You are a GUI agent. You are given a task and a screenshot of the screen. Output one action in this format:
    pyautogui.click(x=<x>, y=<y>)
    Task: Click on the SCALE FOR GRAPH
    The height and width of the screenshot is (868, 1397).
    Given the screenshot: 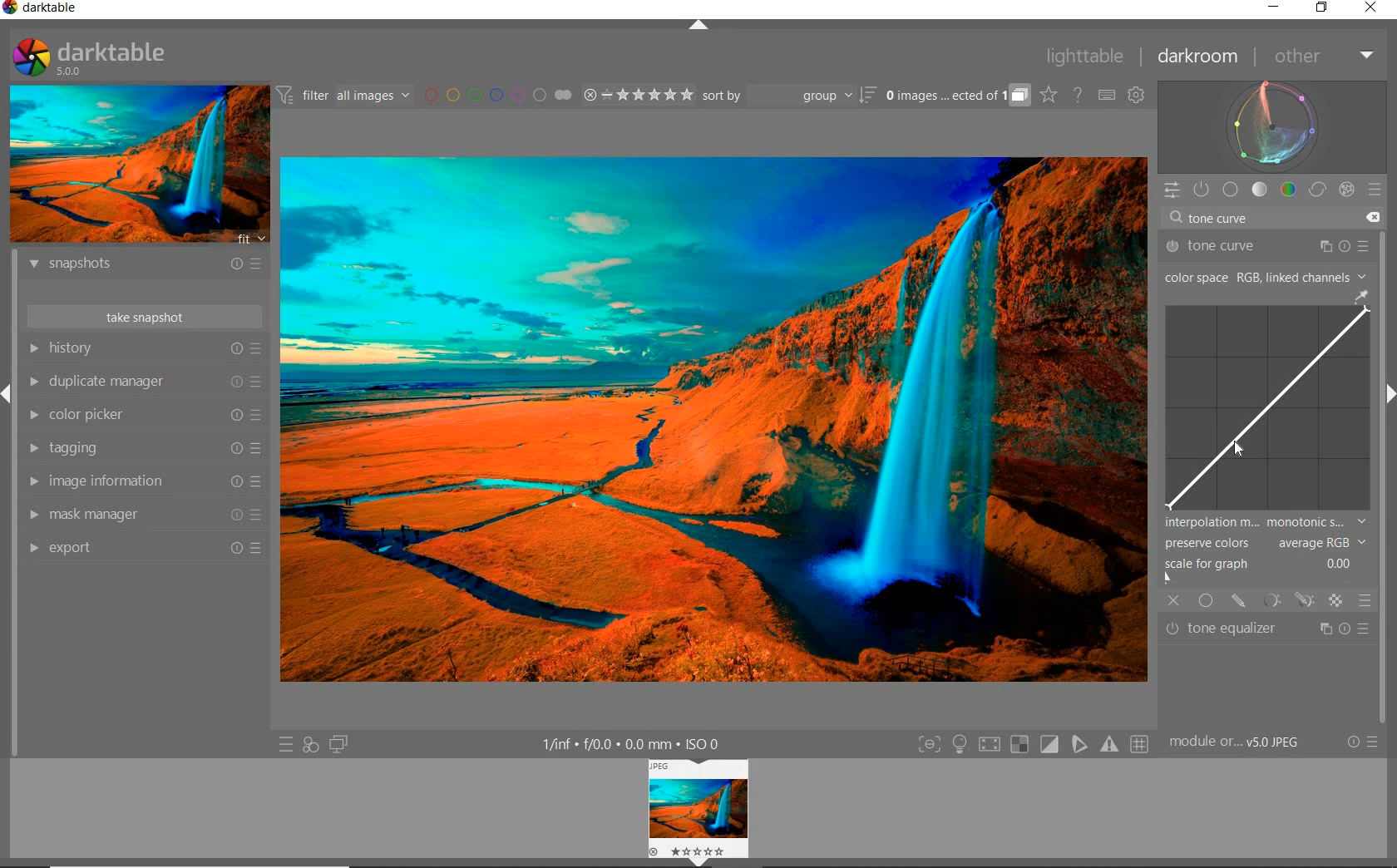 What is the action you would take?
    pyautogui.click(x=1261, y=572)
    